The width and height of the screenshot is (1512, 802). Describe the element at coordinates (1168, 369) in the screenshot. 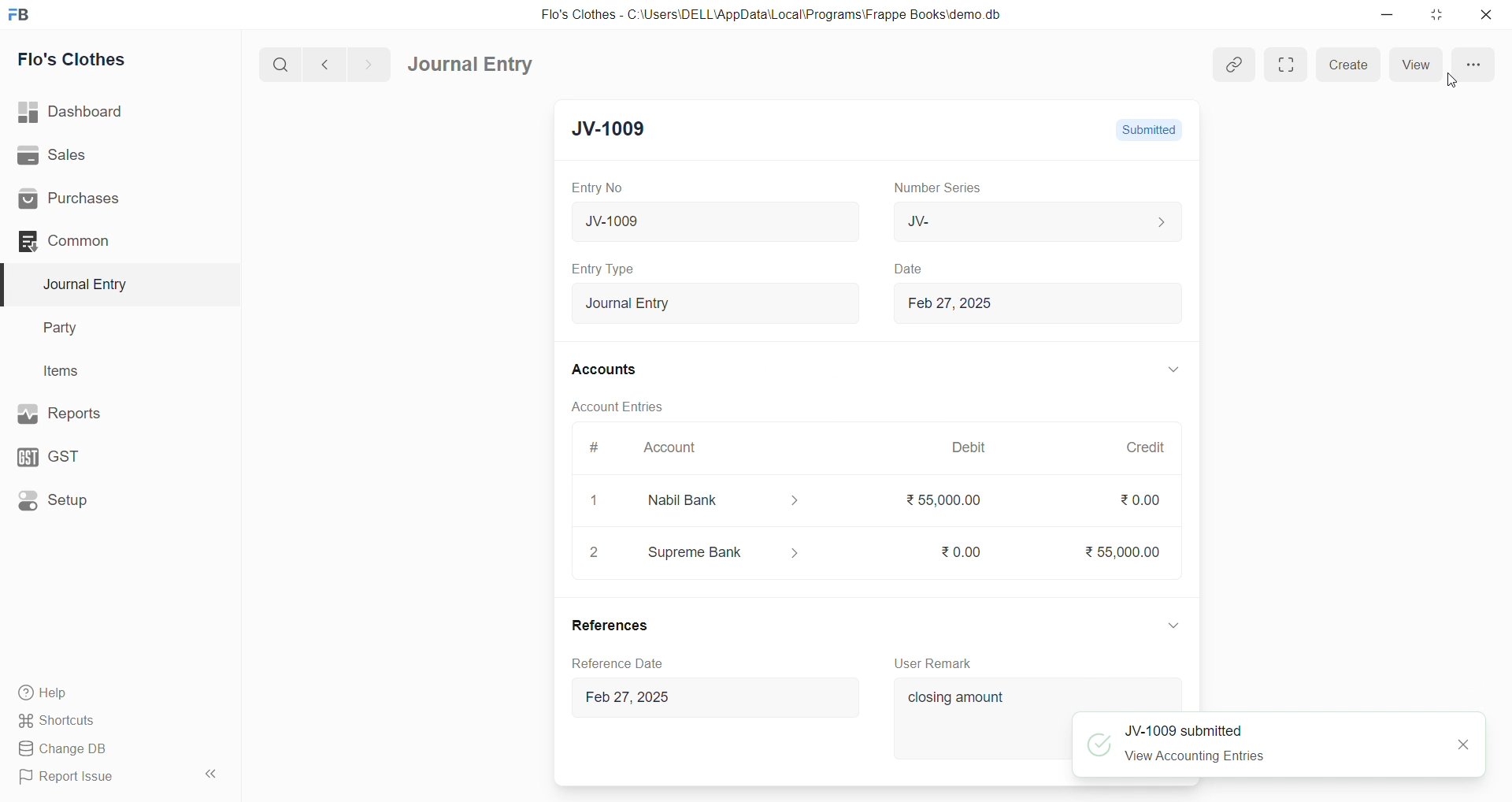

I see `EXPAND/COLLAPSE` at that location.